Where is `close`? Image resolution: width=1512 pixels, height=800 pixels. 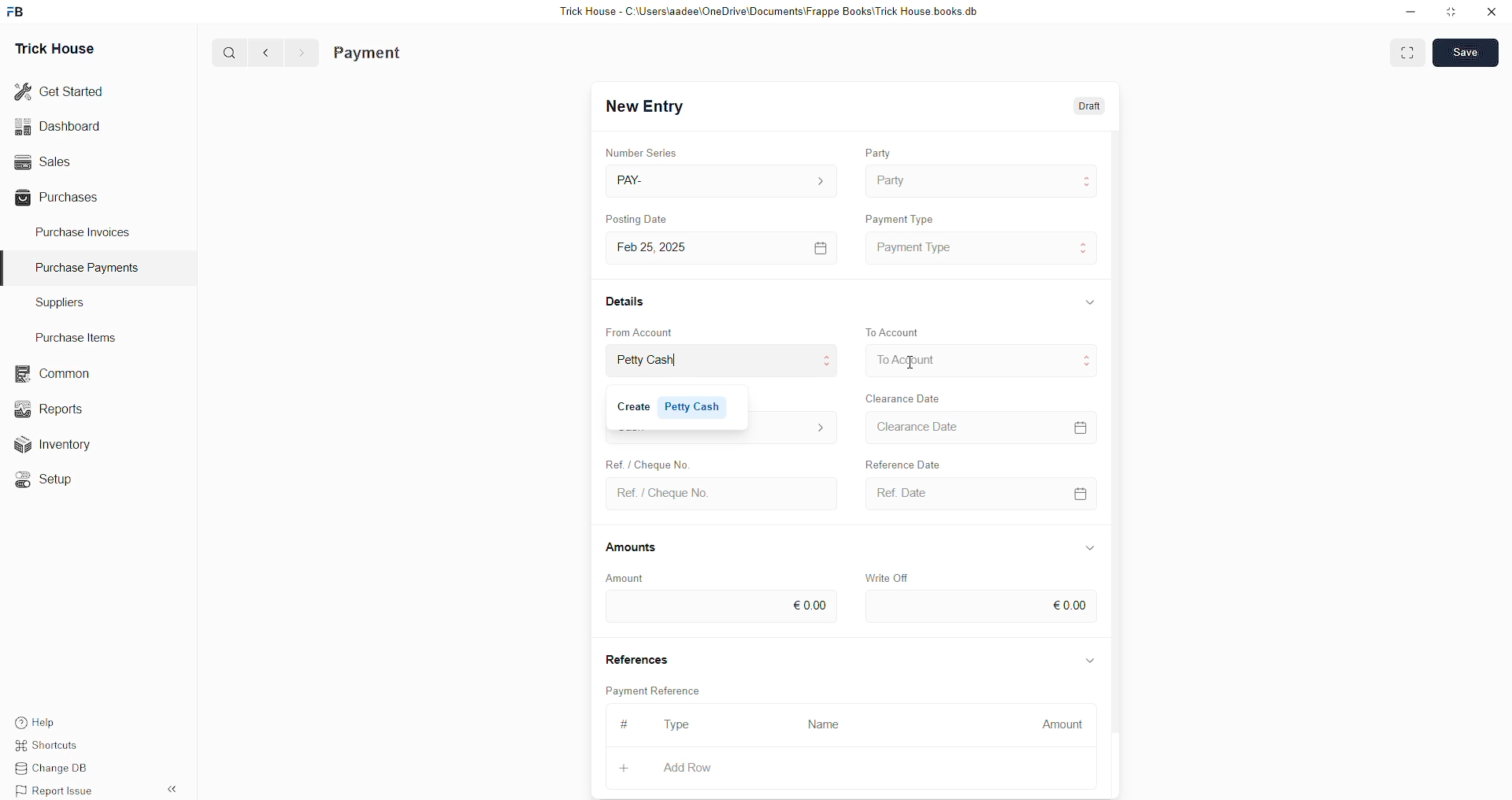
close is located at coordinates (1492, 12).